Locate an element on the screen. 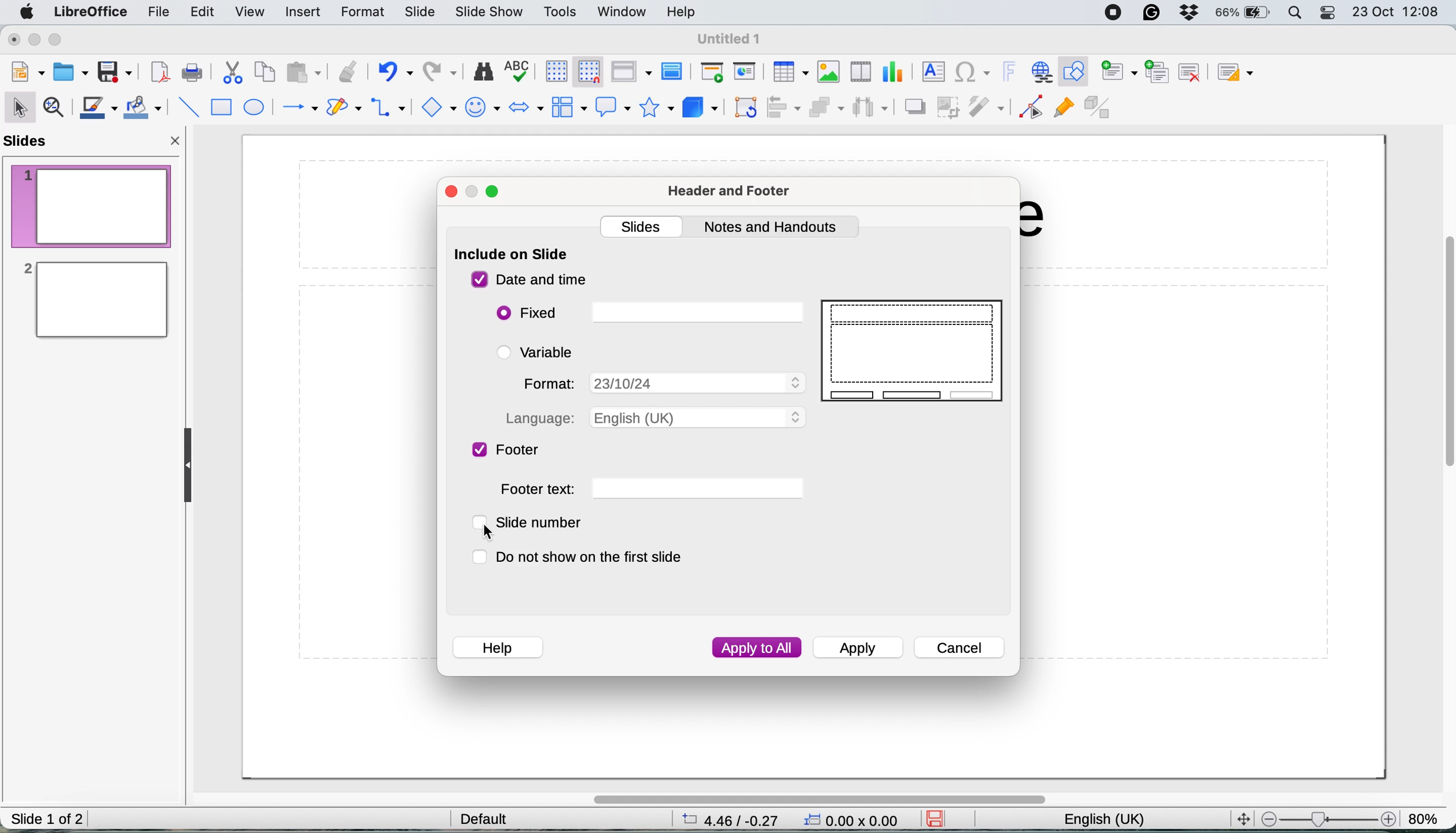 The width and height of the screenshot is (1456, 833). insert line is located at coordinates (188, 106).